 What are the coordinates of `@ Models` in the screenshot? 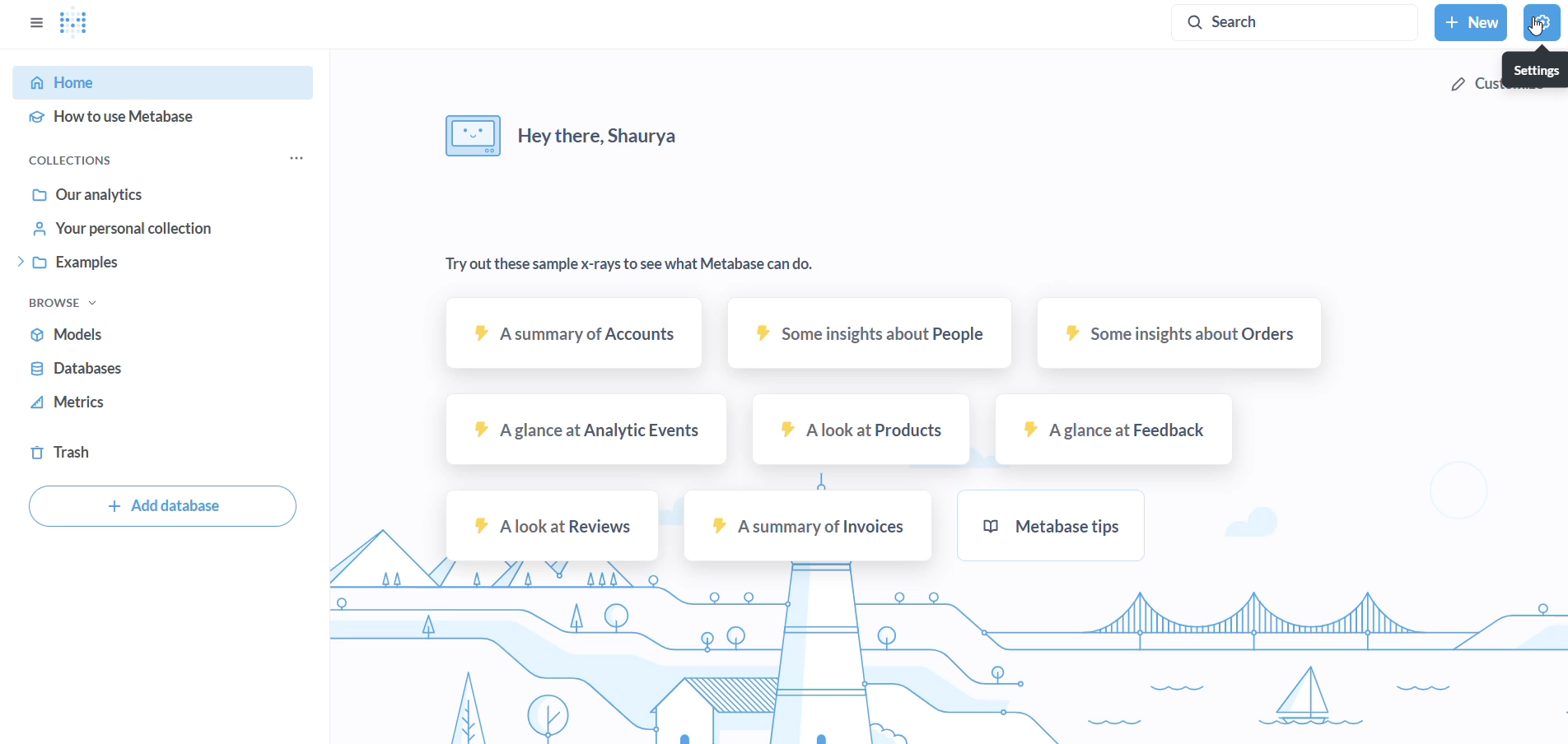 It's located at (68, 332).